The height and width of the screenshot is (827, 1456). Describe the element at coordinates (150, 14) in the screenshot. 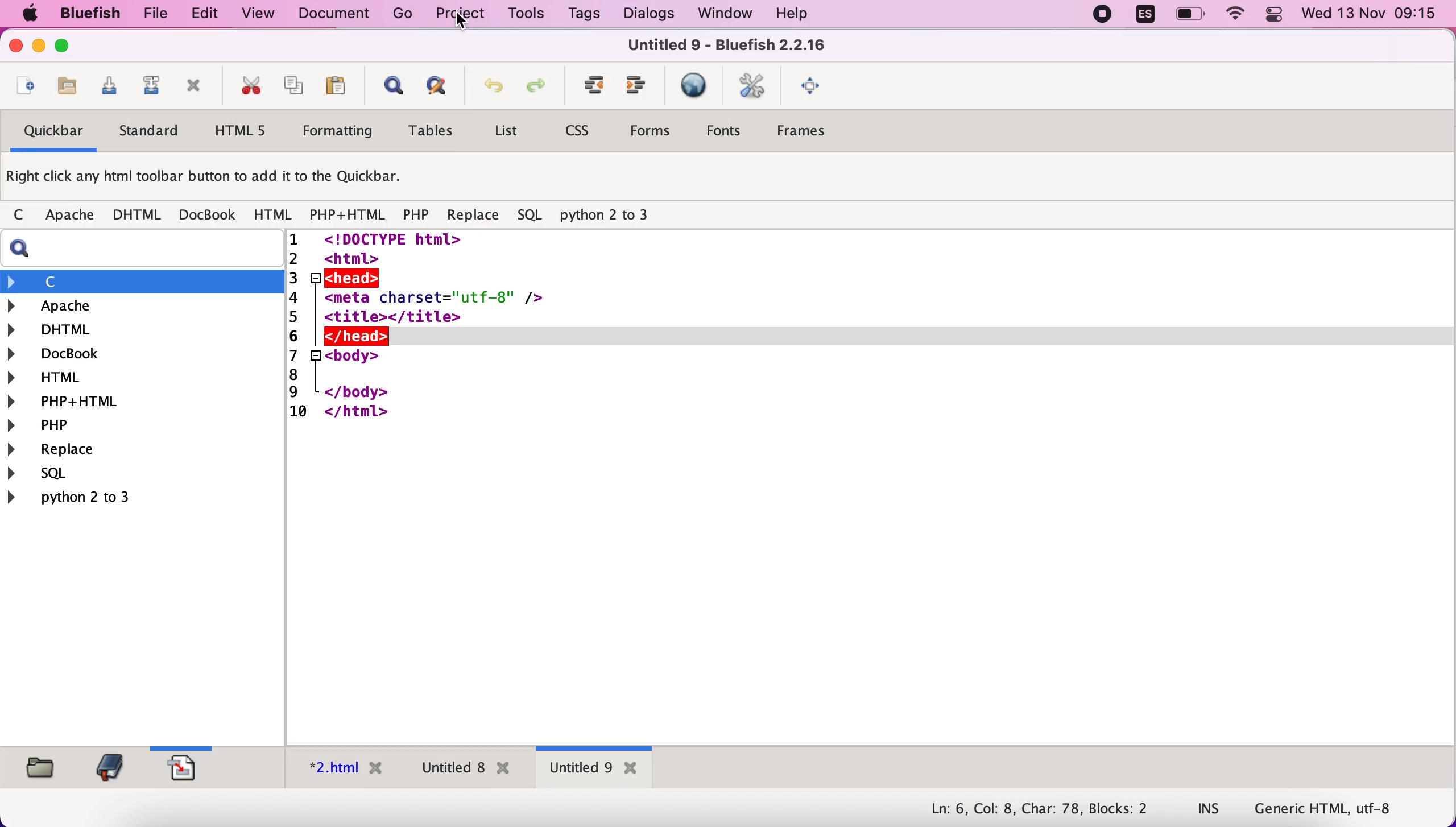

I see `file` at that location.